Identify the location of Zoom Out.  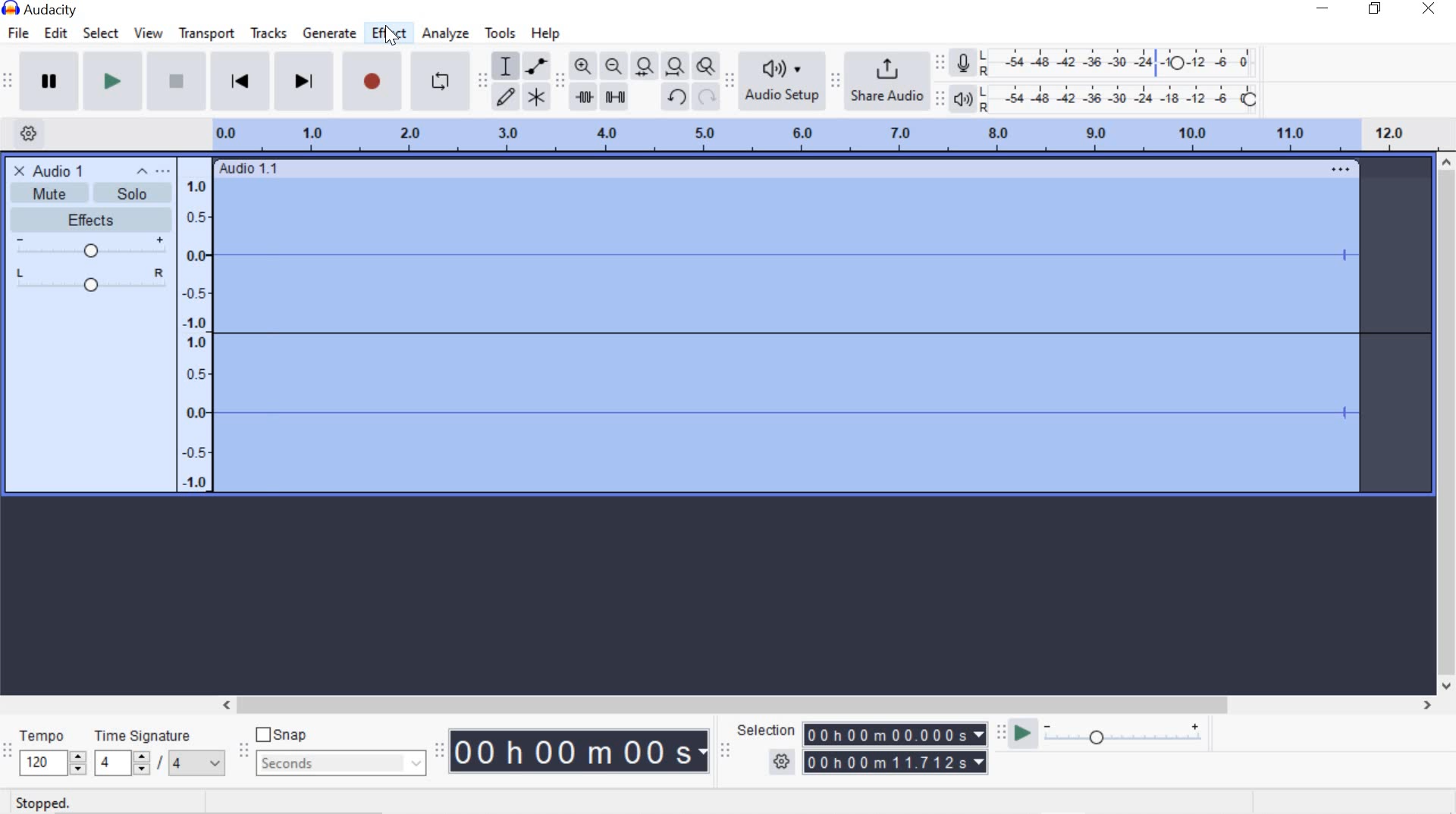
(615, 67).